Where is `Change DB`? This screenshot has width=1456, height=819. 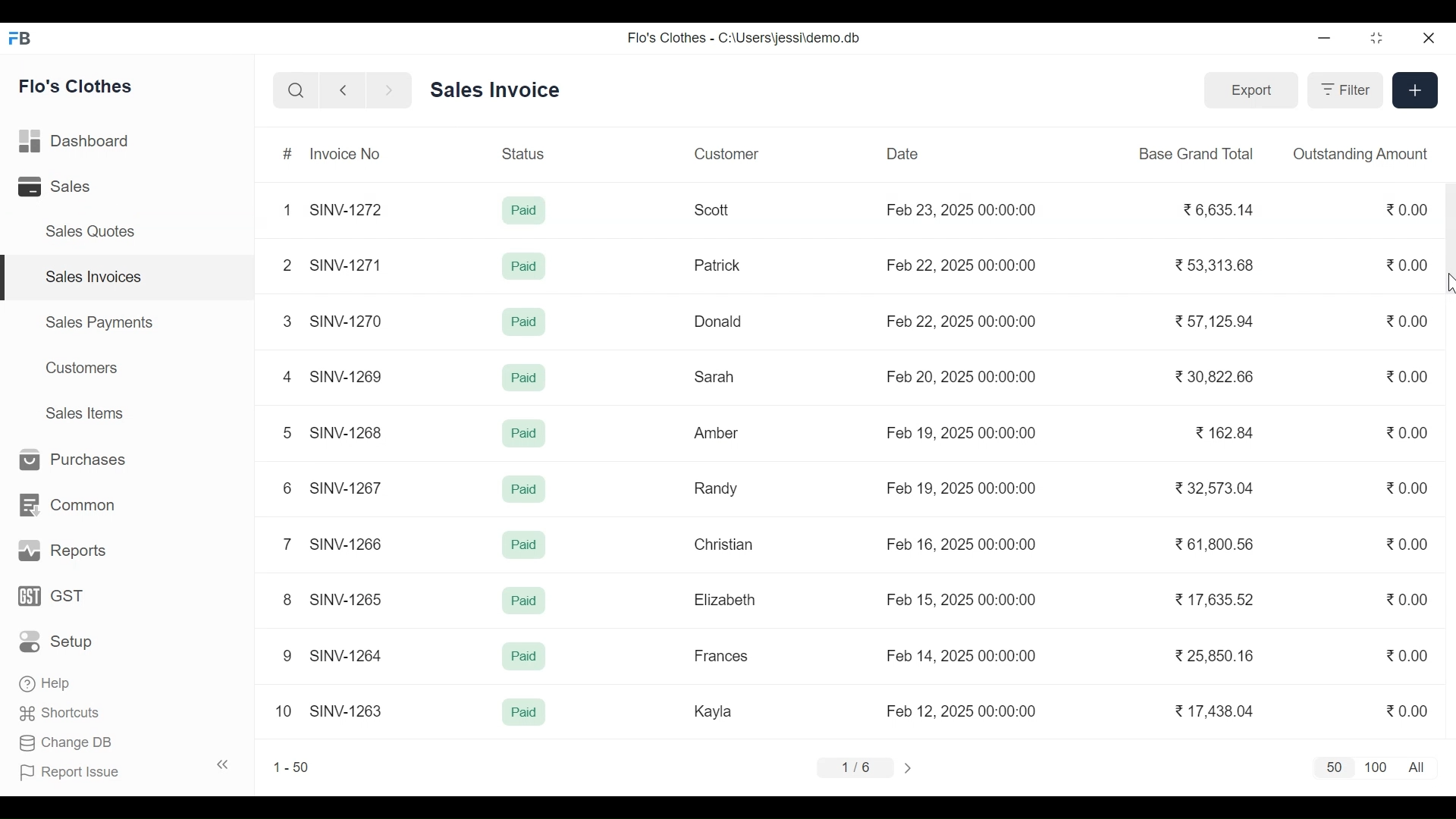 Change DB is located at coordinates (67, 745).